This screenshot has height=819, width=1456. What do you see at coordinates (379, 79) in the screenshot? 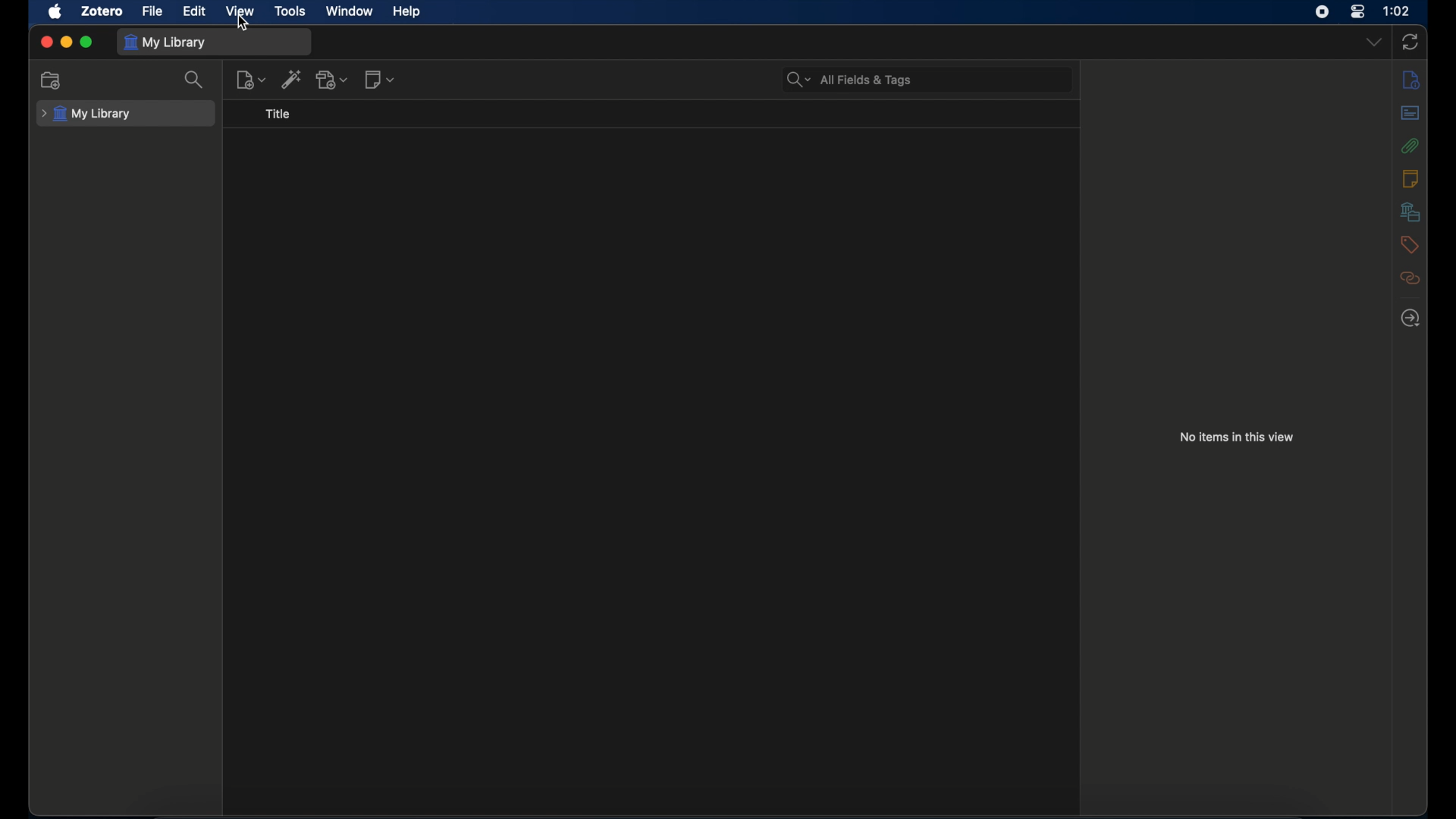
I see `new notes` at bounding box center [379, 79].